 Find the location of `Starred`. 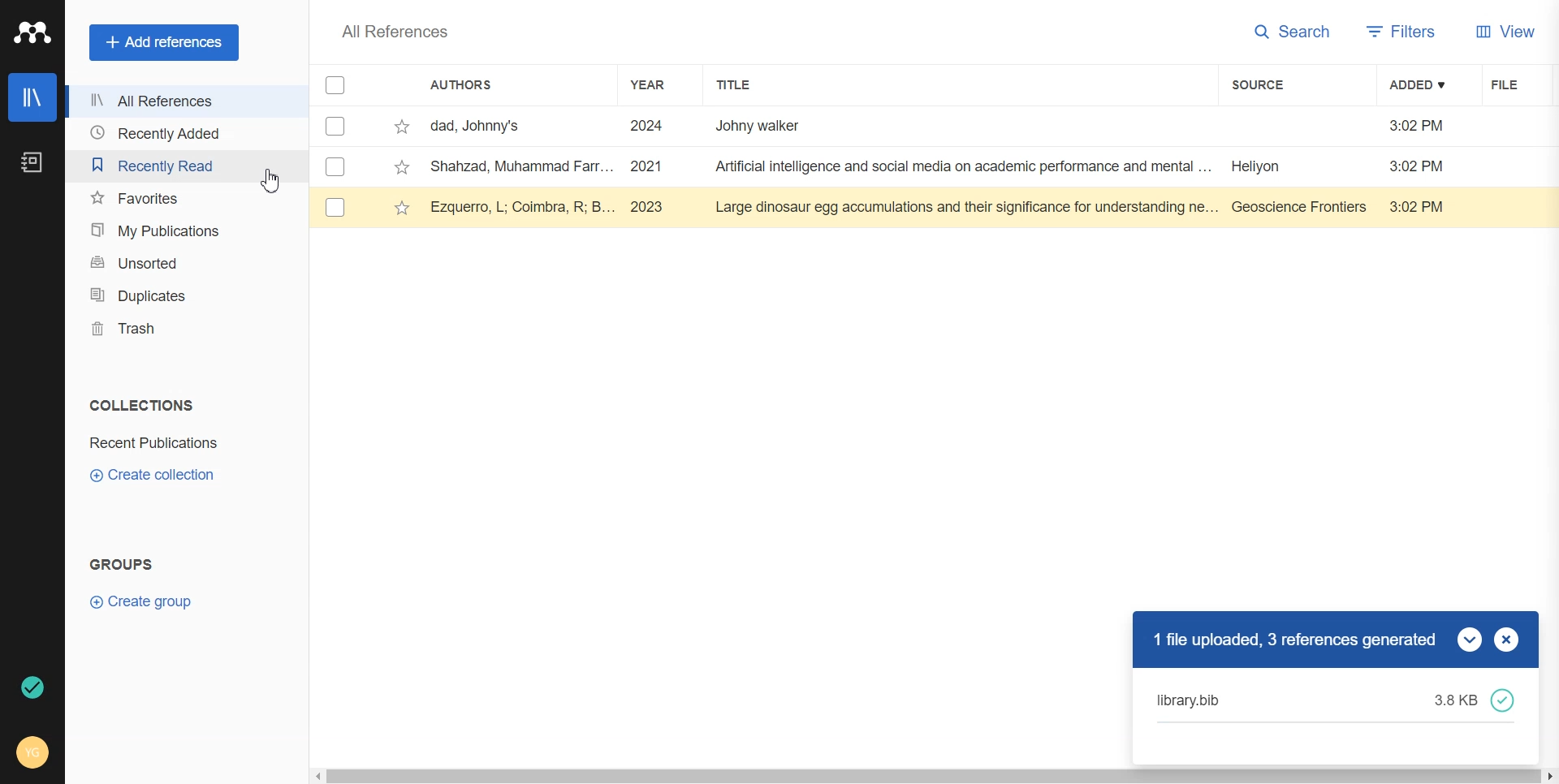

Starred is located at coordinates (402, 127).